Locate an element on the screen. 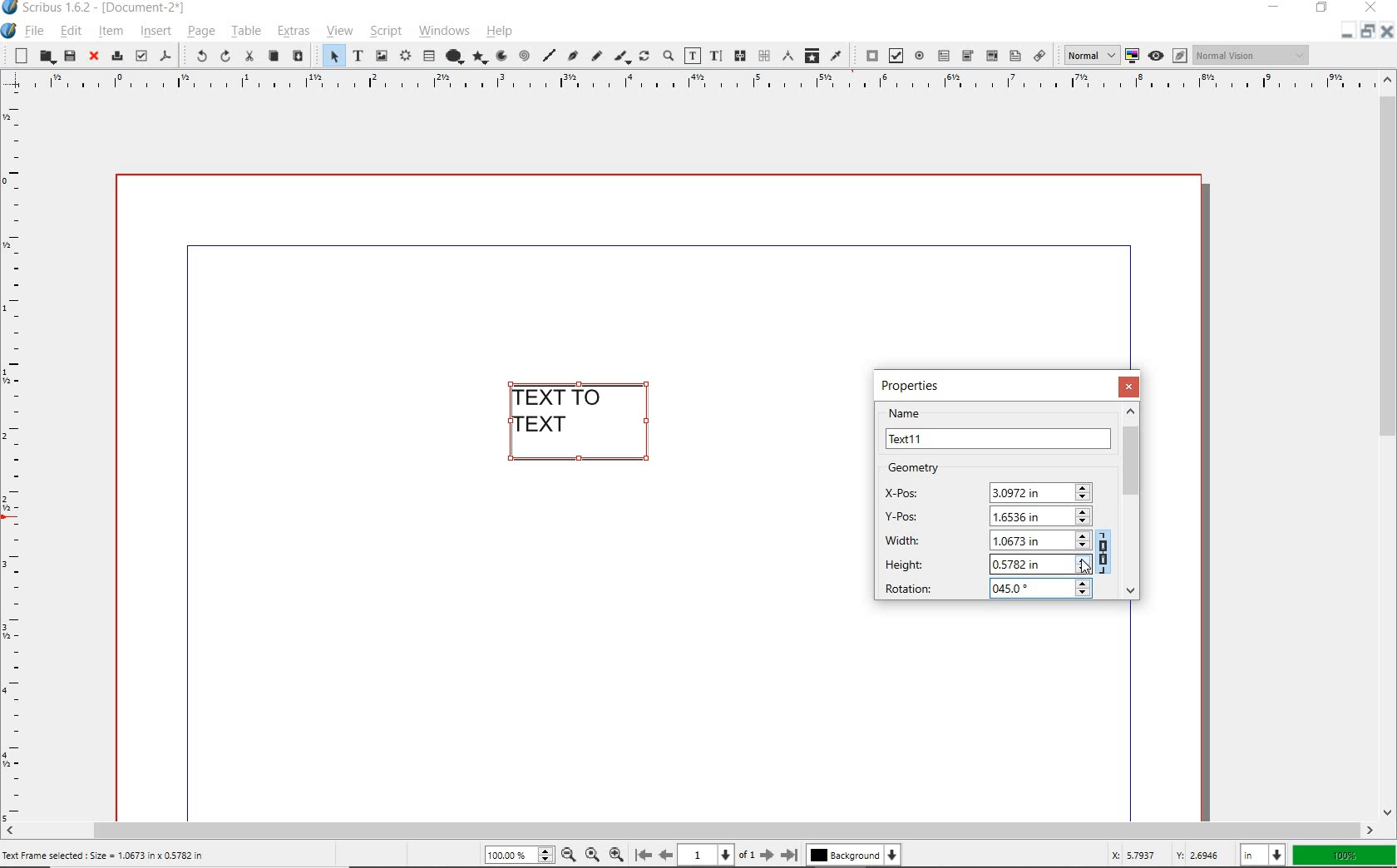 Image resolution: width=1397 pixels, height=868 pixels. save is located at coordinates (69, 57).